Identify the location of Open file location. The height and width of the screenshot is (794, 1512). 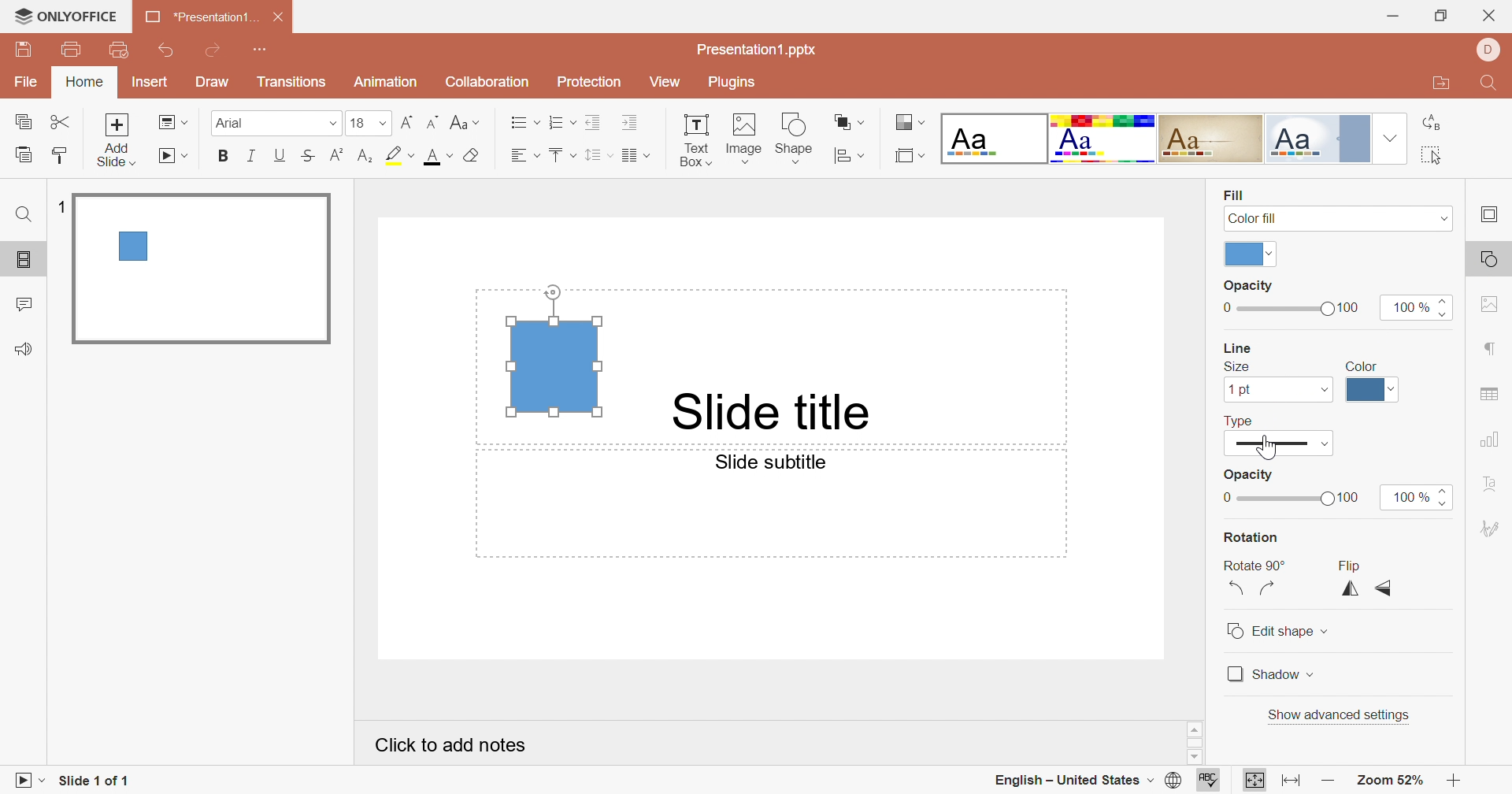
(1444, 85).